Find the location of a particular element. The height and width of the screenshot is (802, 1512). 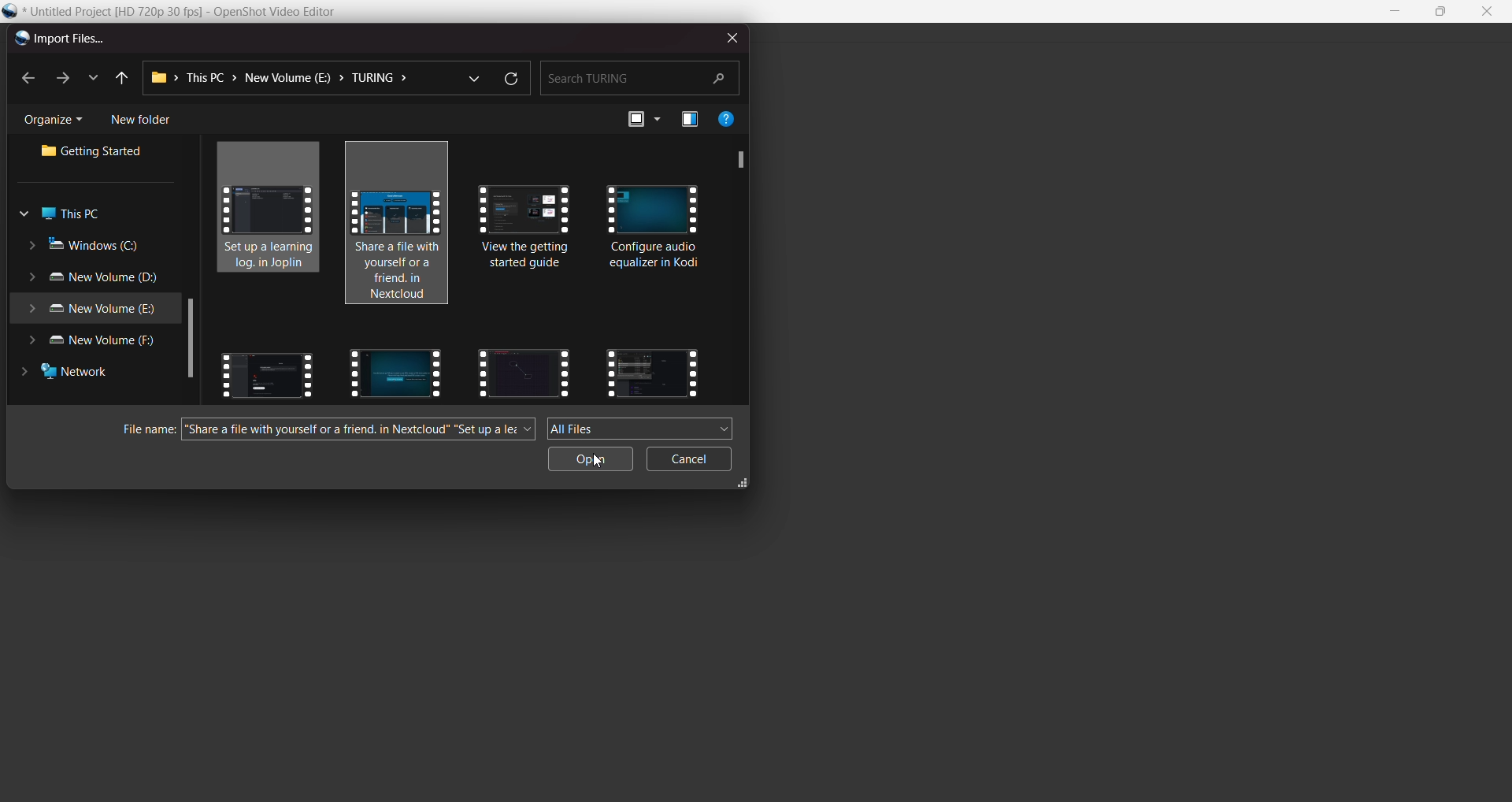

path is located at coordinates (285, 78).